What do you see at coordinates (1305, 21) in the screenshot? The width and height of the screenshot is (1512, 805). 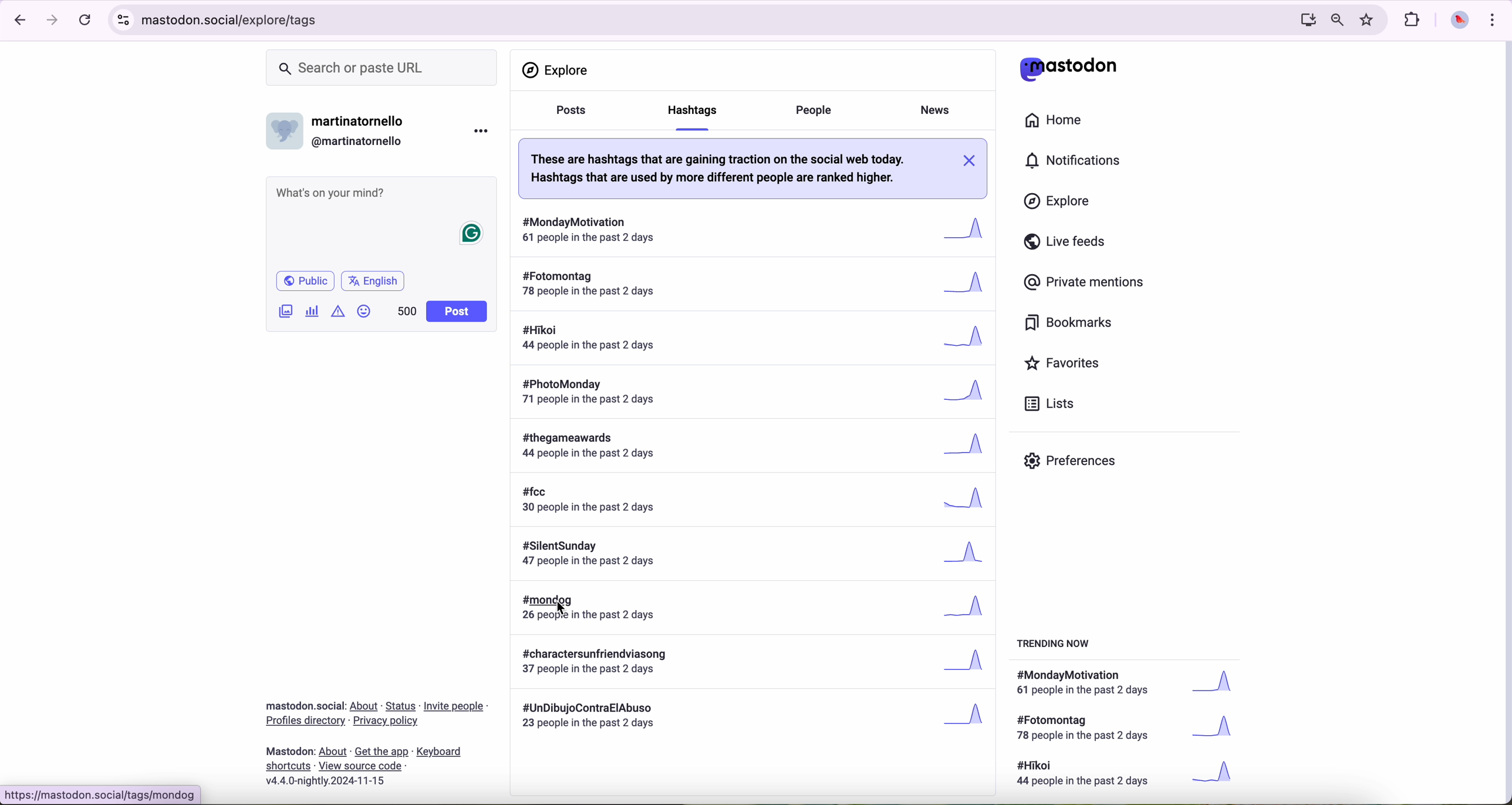 I see `screen` at bounding box center [1305, 21].